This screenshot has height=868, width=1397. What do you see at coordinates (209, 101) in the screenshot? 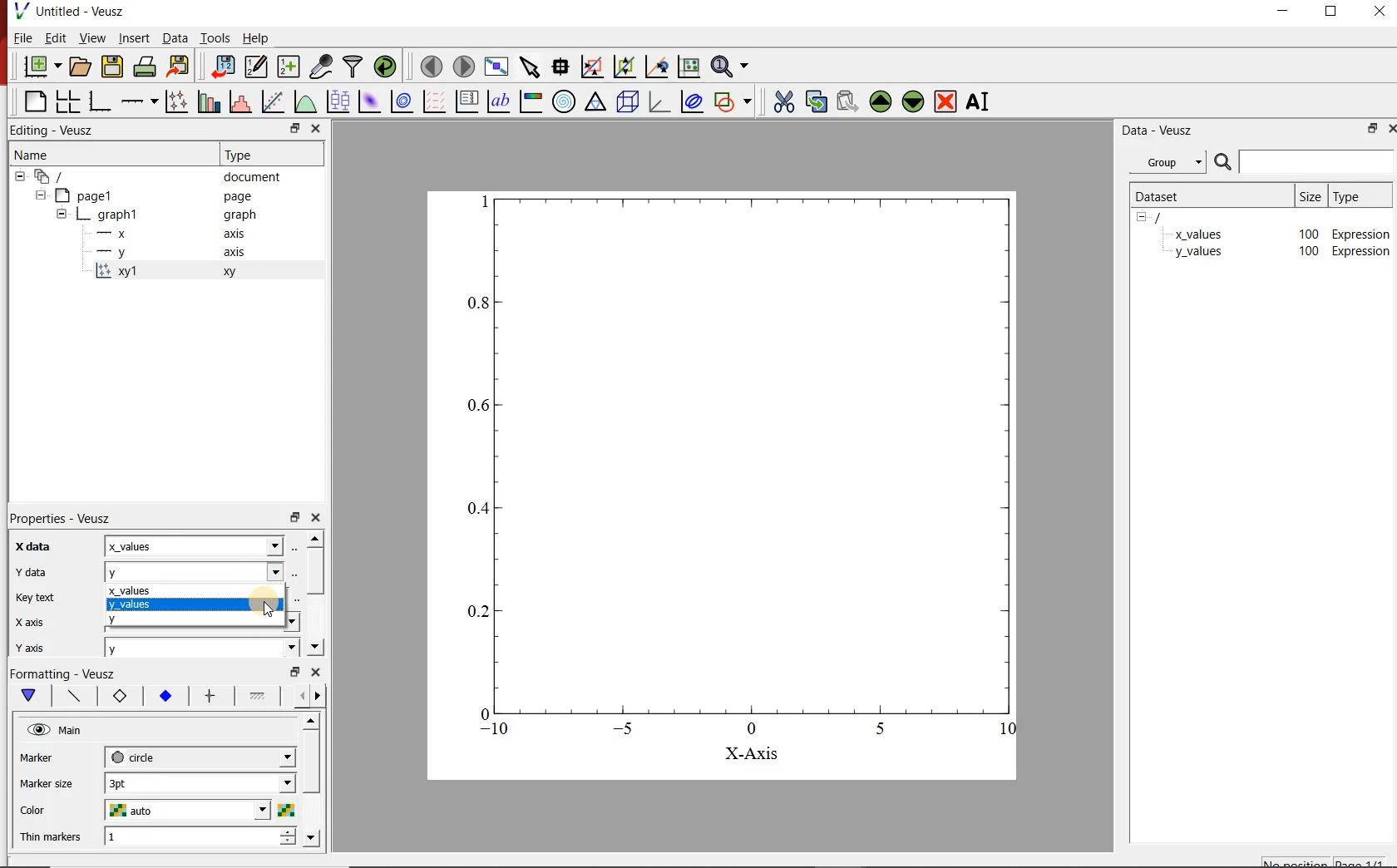
I see `plot bar charts` at bounding box center [209, 101].